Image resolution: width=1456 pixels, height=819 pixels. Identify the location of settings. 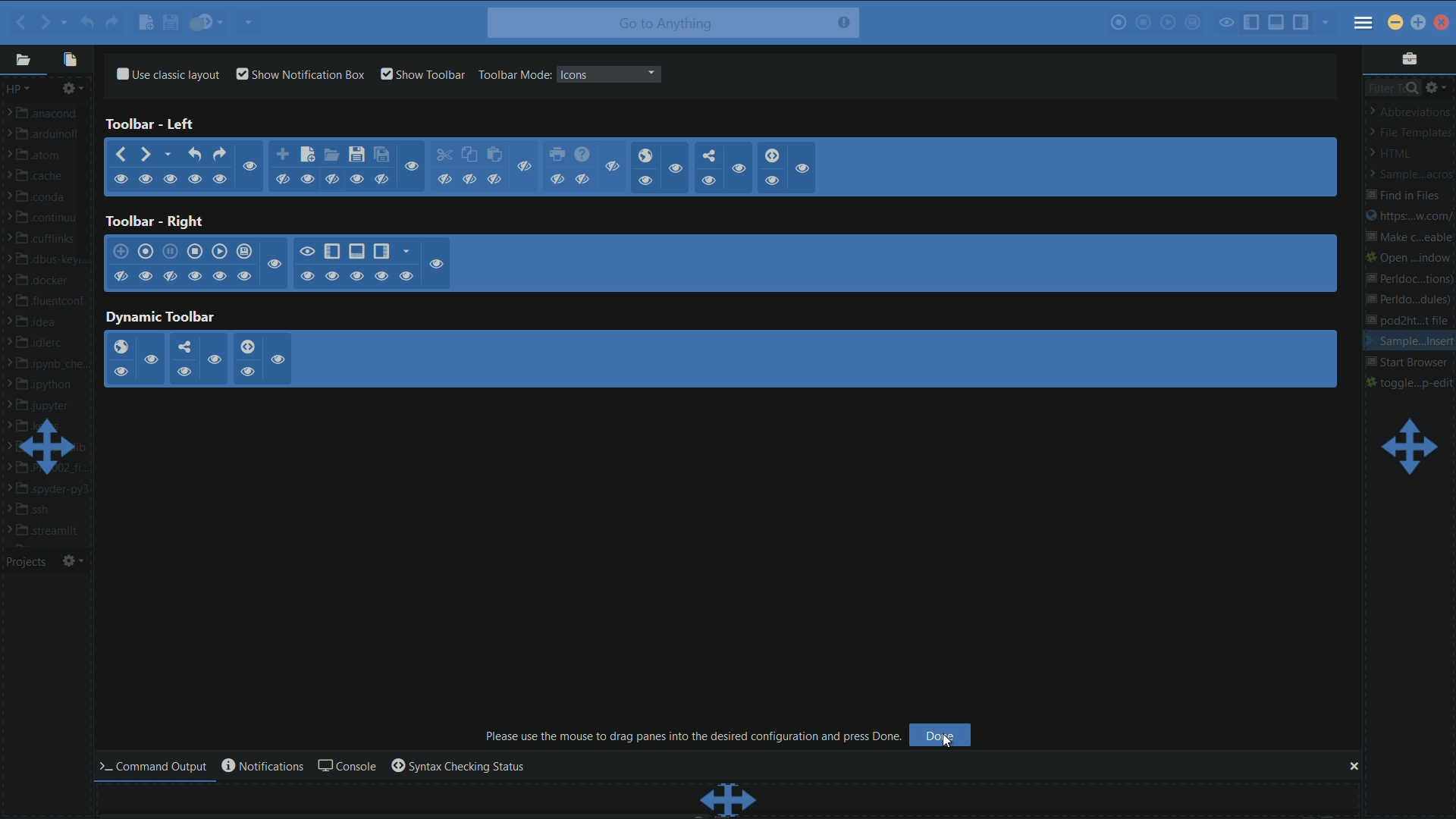
(75, 89).